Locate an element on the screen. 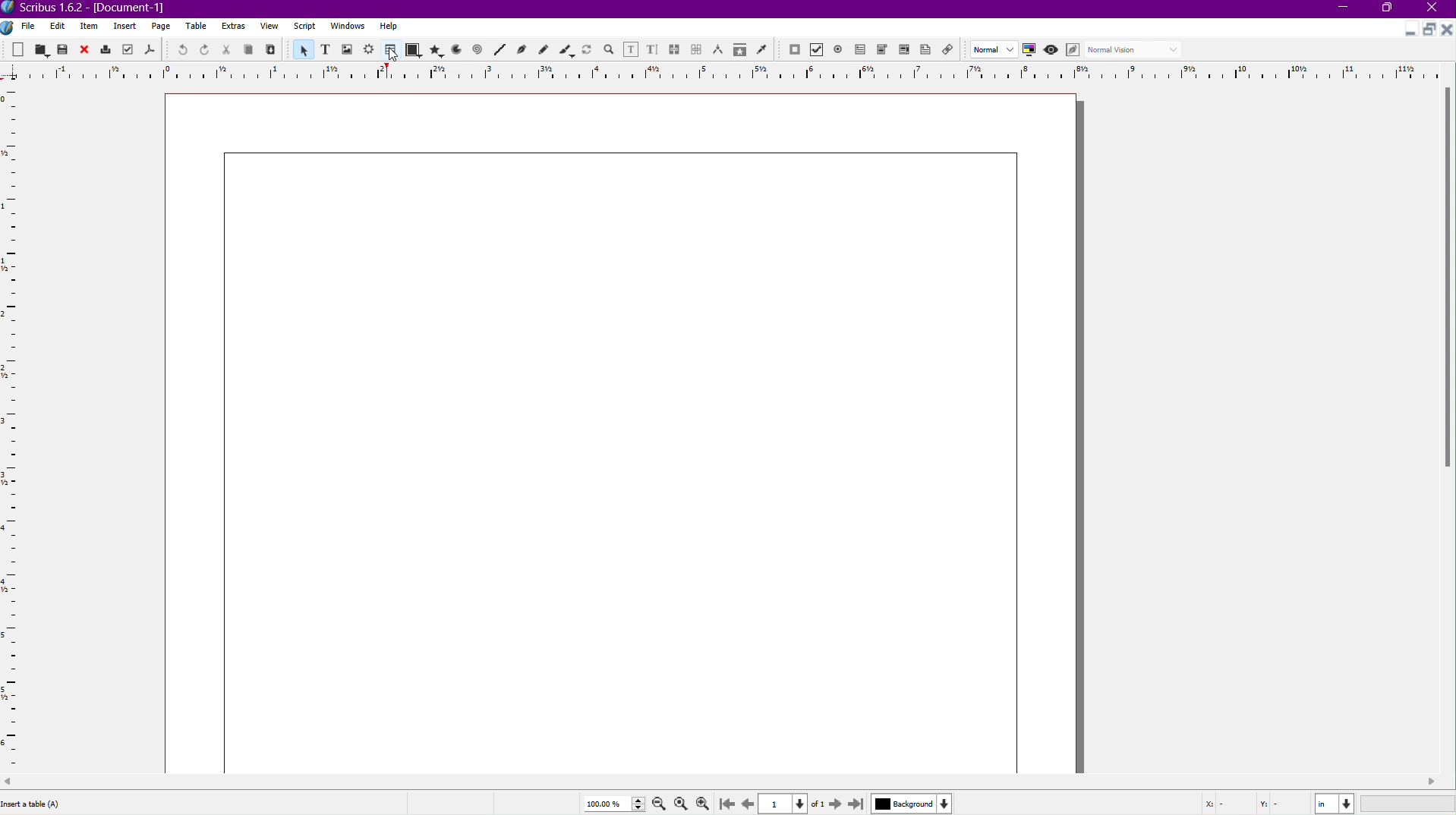  Close is located at coordinates (1436, 9).